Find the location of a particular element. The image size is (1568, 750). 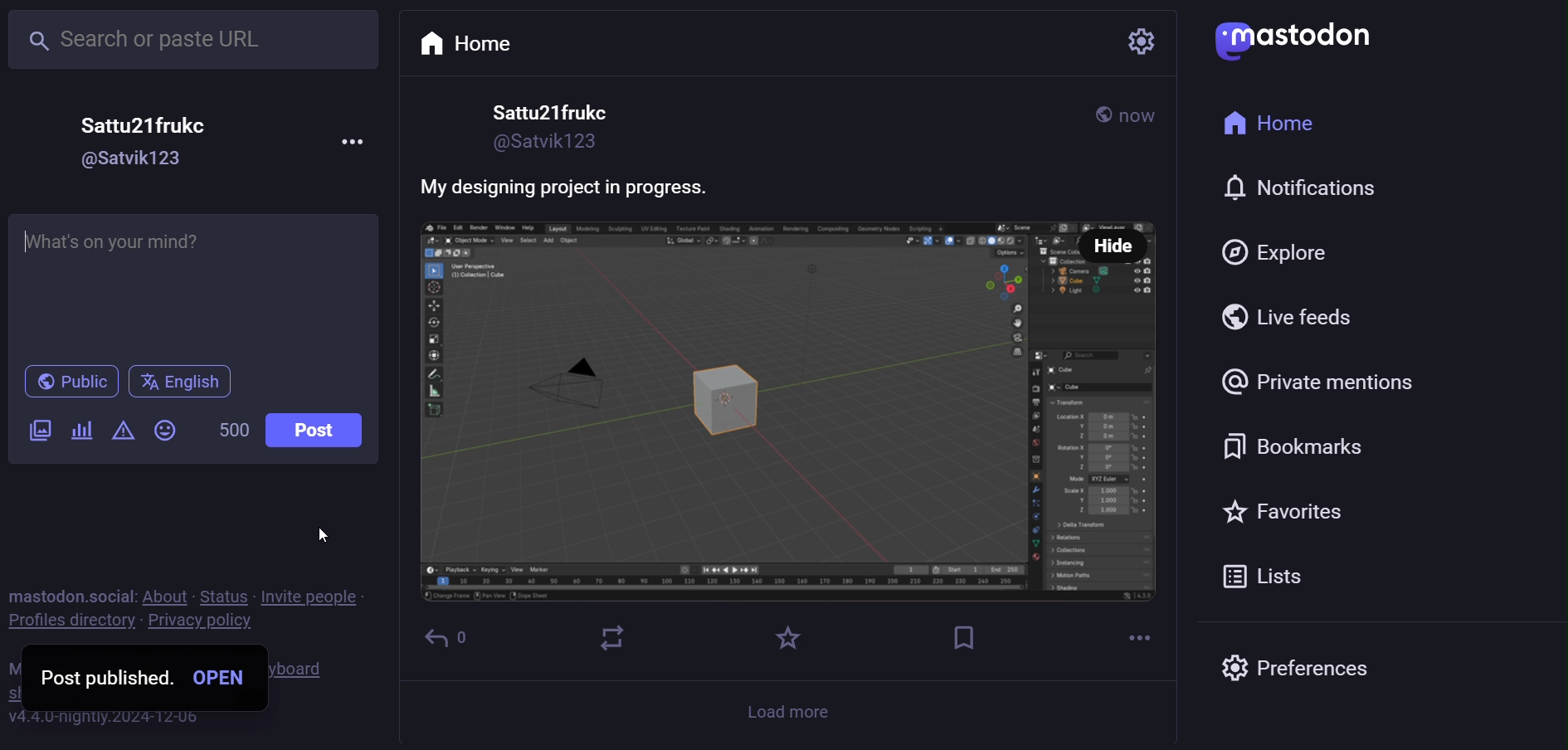

favorite is located at coordinates (786, 640).